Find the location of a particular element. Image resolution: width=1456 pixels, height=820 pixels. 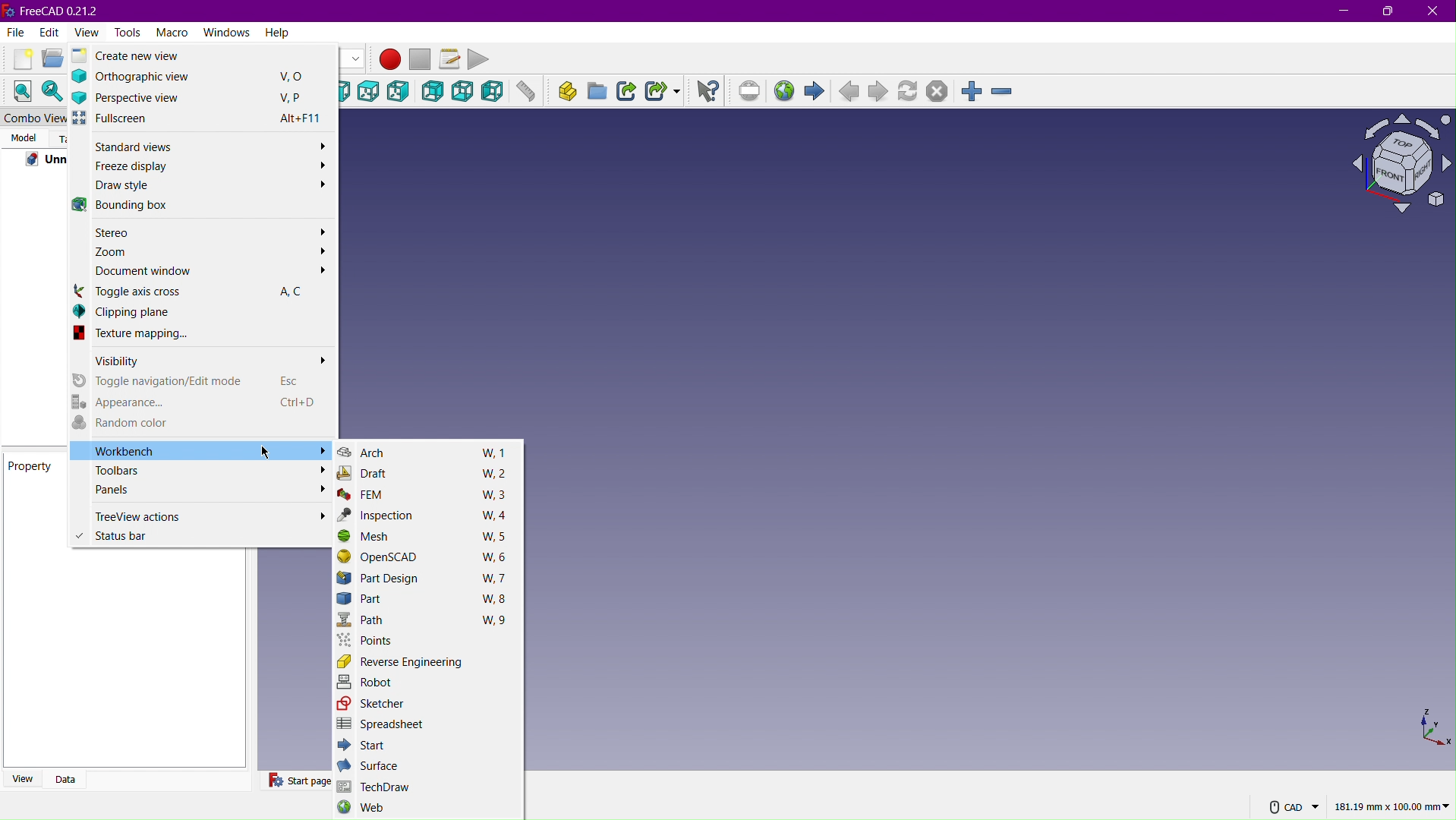

Toggle navigation/Edit mode Esc is located at coordinates (205, 382).